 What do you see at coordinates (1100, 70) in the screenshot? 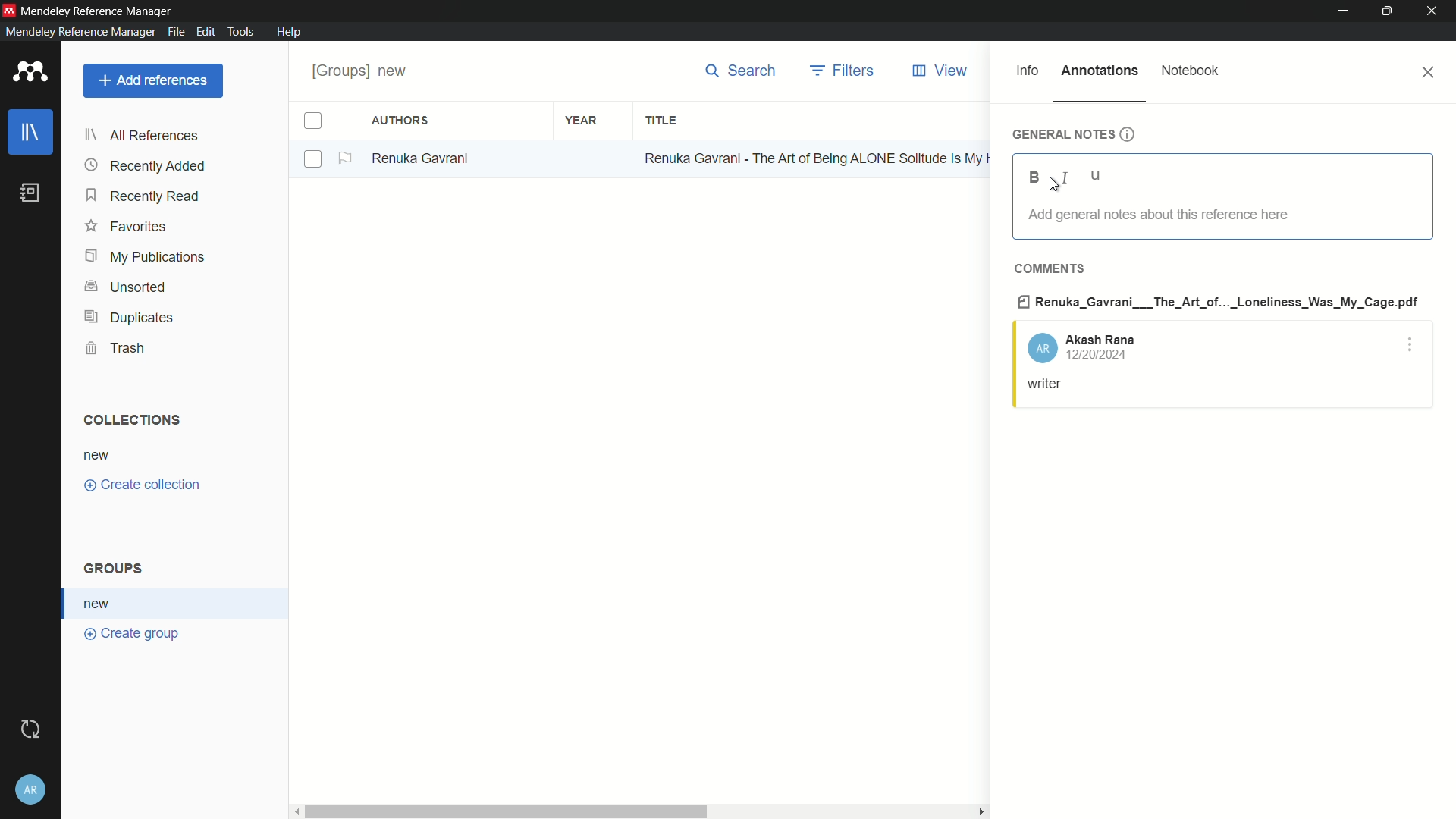
I see `annotations` at bounding box center [1100, 70].